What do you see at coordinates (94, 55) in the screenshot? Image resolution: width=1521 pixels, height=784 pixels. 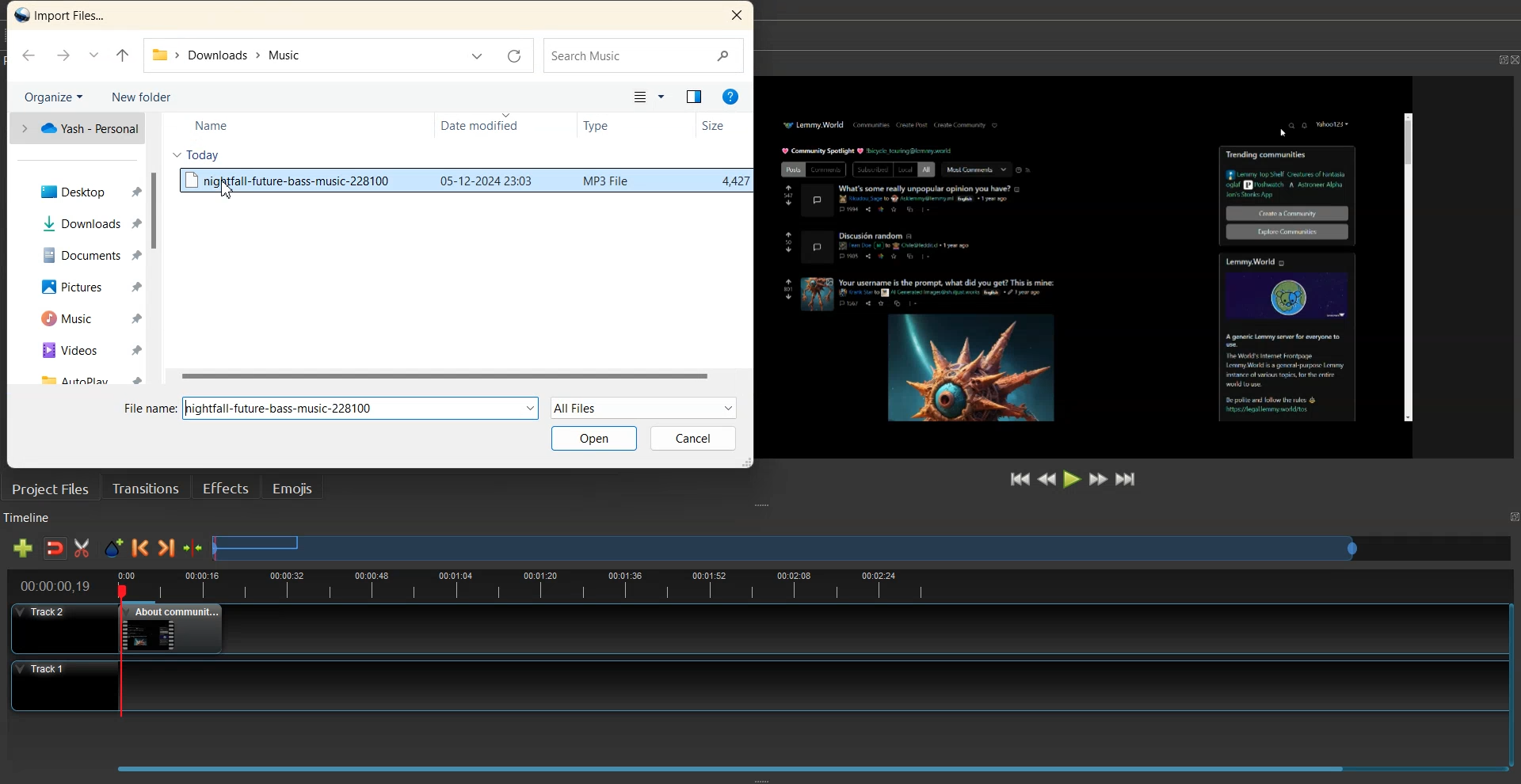 I see `Recent Location` at bounding box center [94, 55].